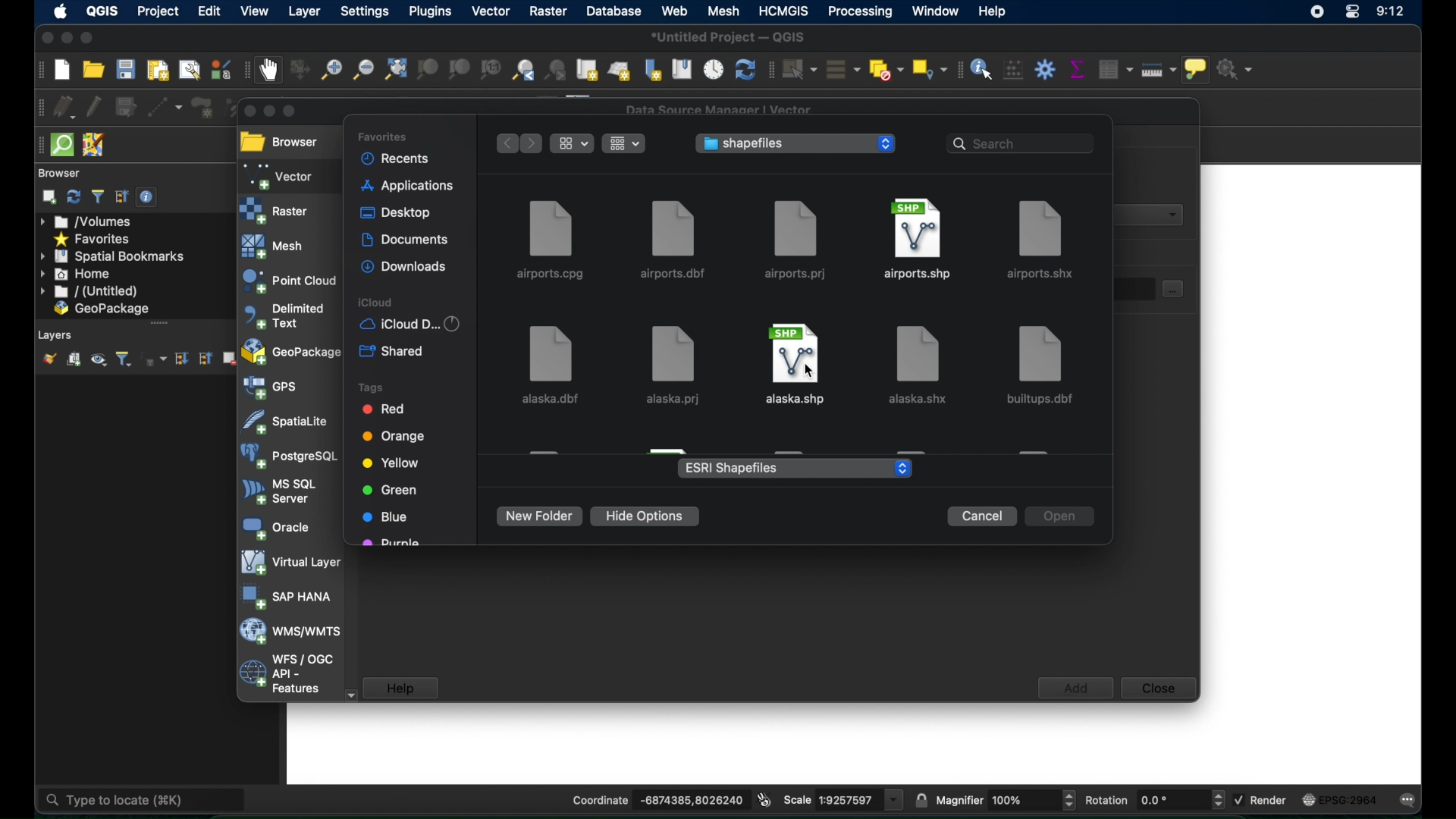 The image size is (1456, 819). I want to click on digitizing toolbar, so click(36, 107).